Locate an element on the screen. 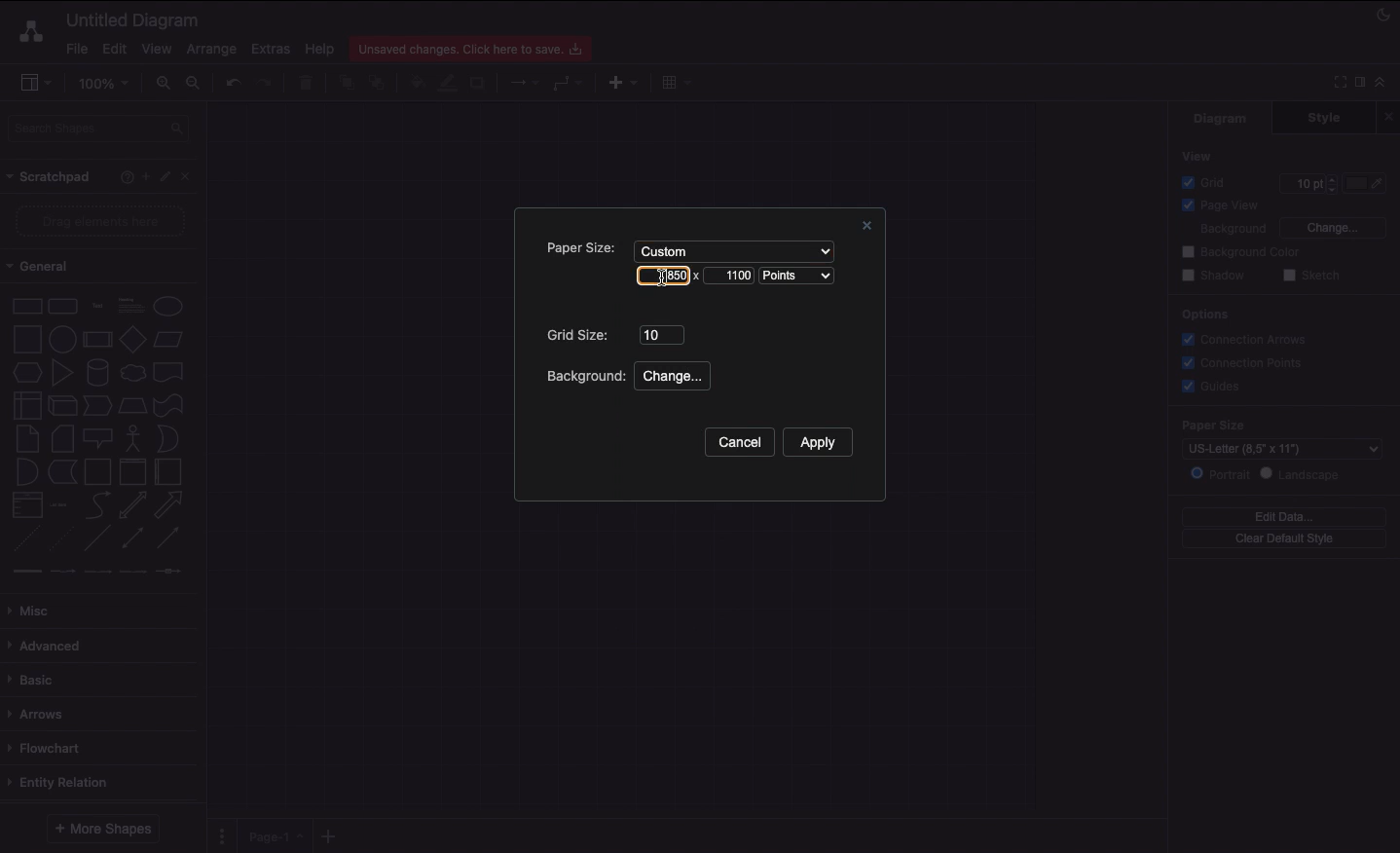 This screenshot has height=853, width=1400. Format is located at coordinates (1361, 85).